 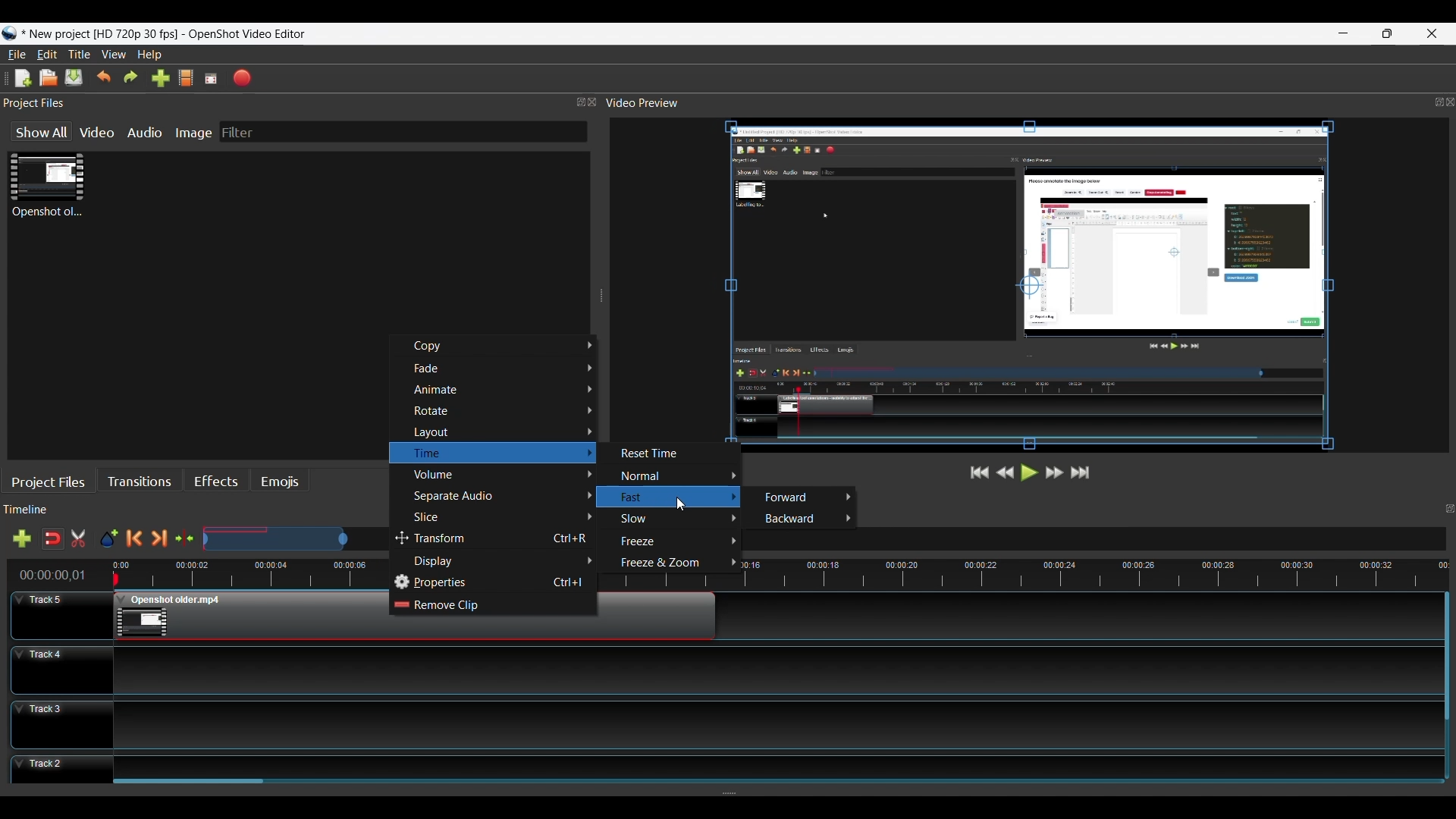 I want to click on Redo, so click(x=133, y=79).